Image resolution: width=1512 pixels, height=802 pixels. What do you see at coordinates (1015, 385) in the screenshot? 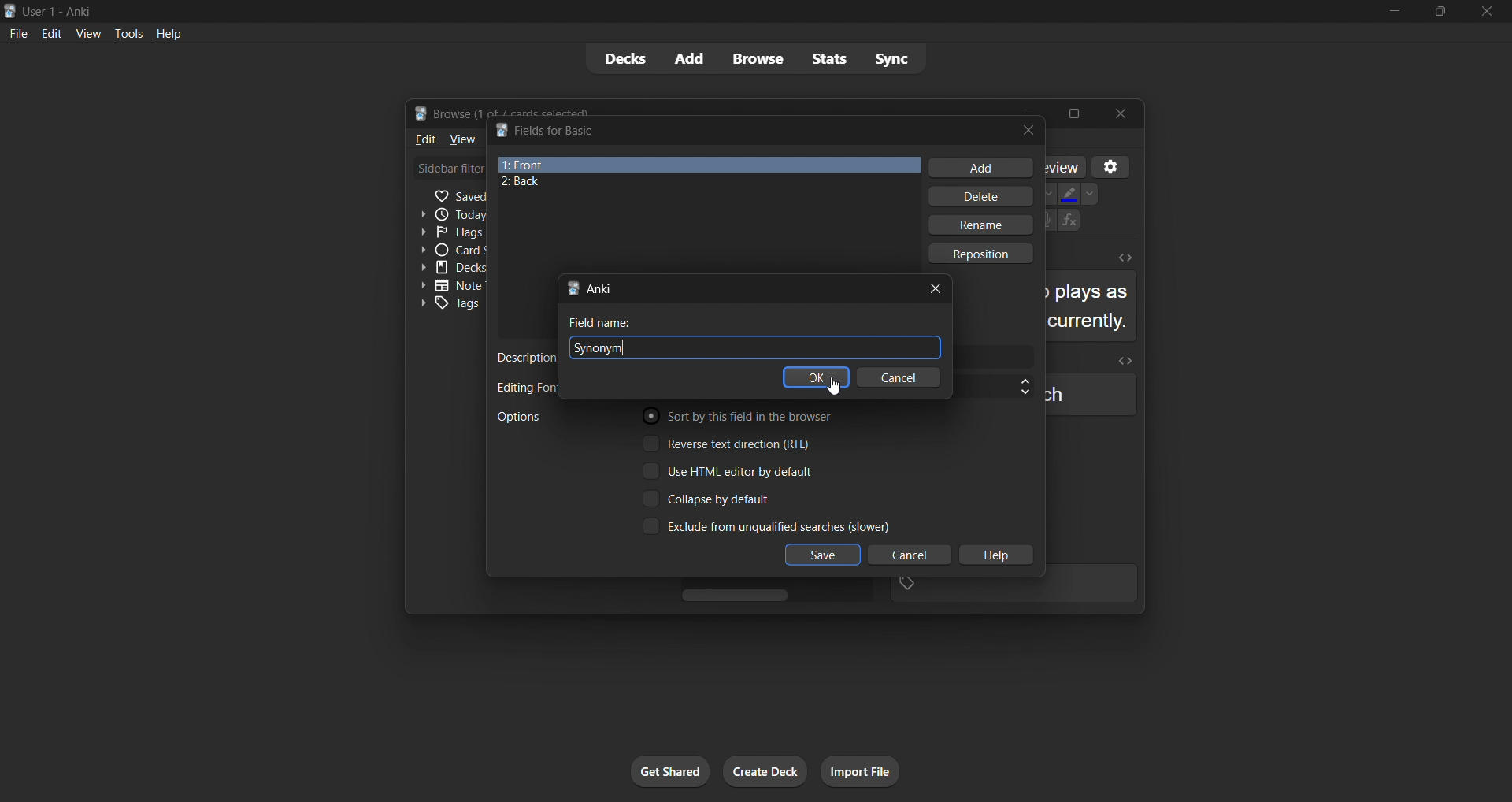
I see `Up/Down arrow` at bounding box center [1015, 385].